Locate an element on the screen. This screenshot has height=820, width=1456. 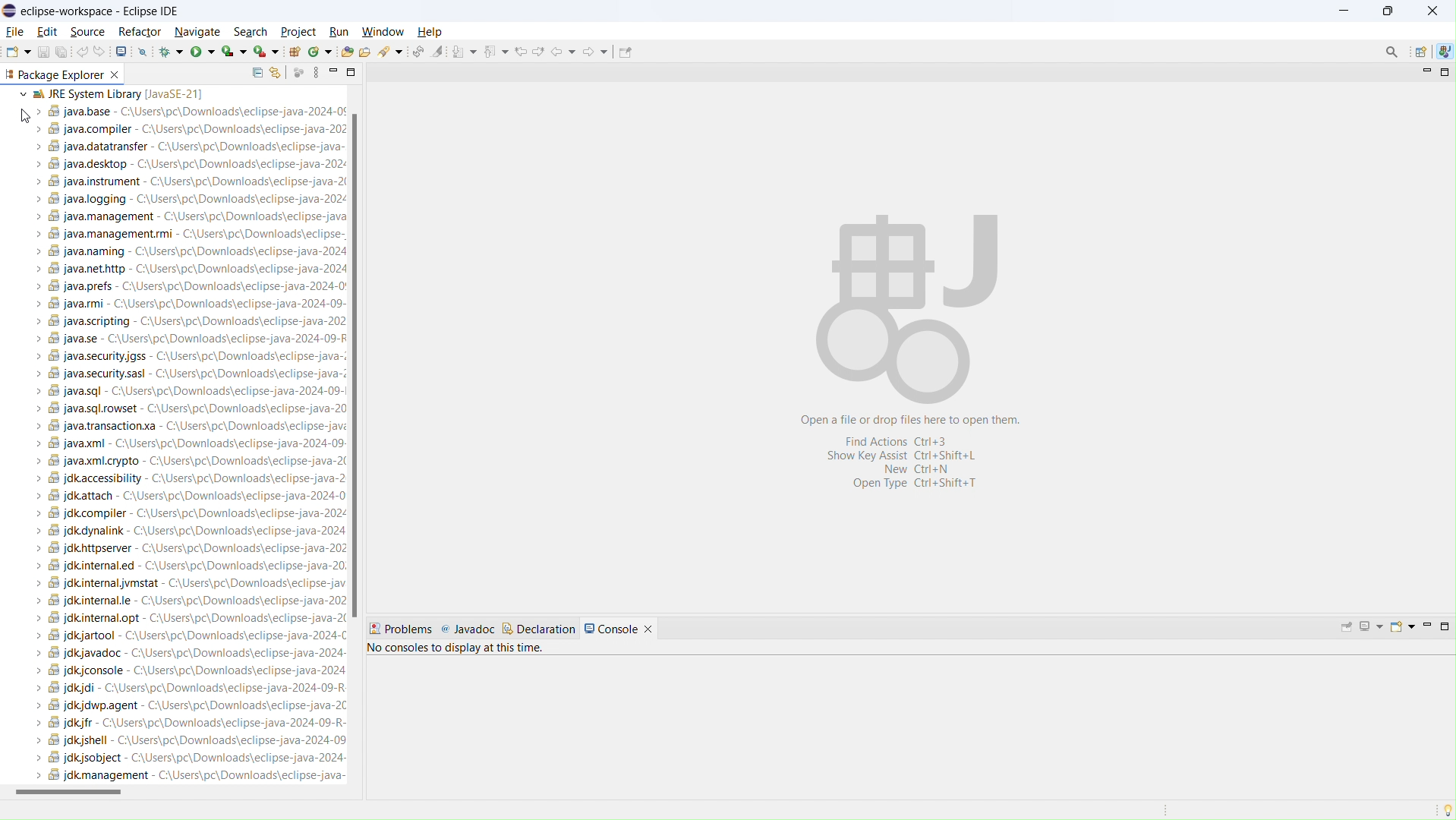
close console is located at coordinates (655, 623).